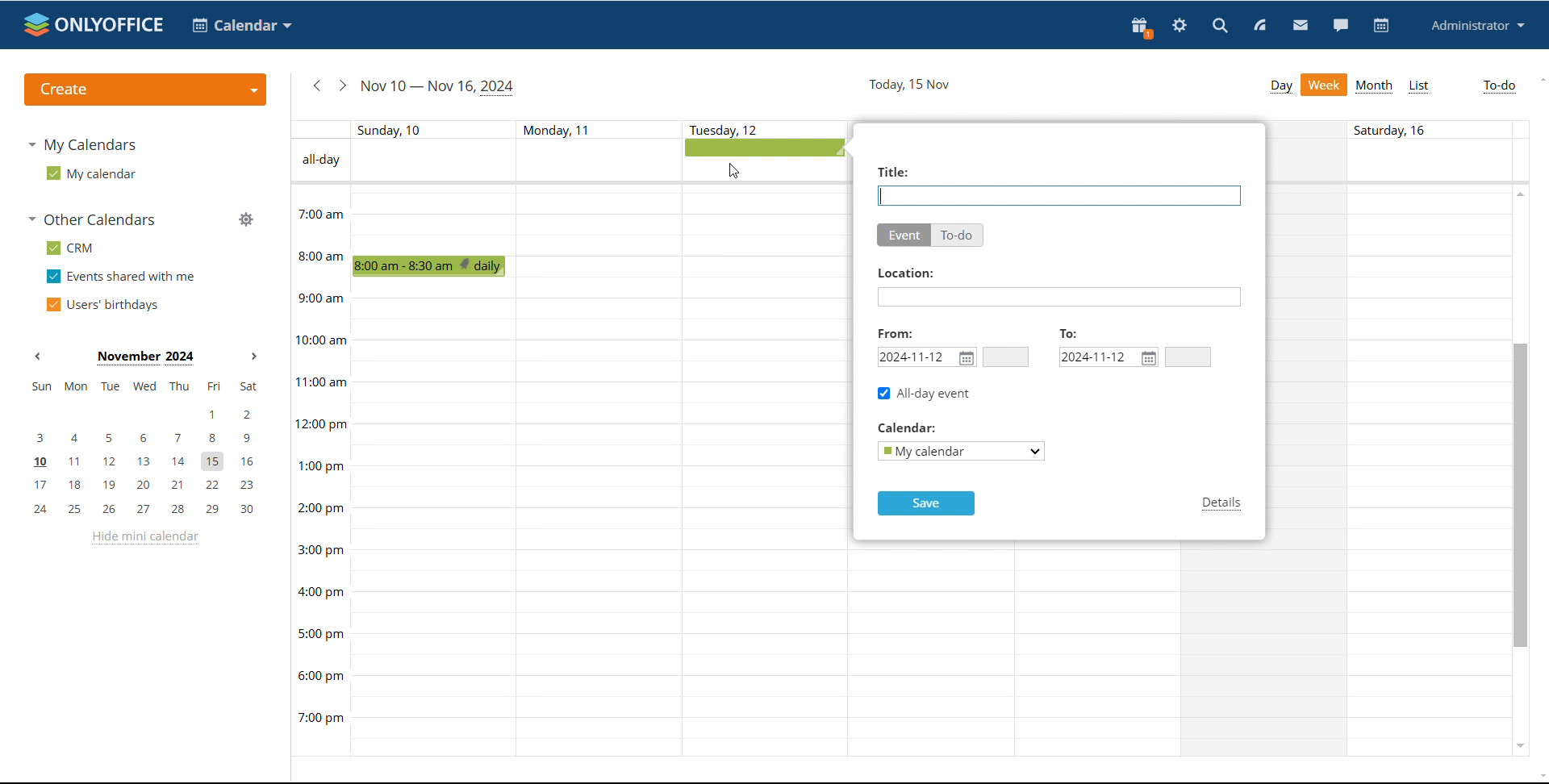  I want to click on next month, so click(254, 357).